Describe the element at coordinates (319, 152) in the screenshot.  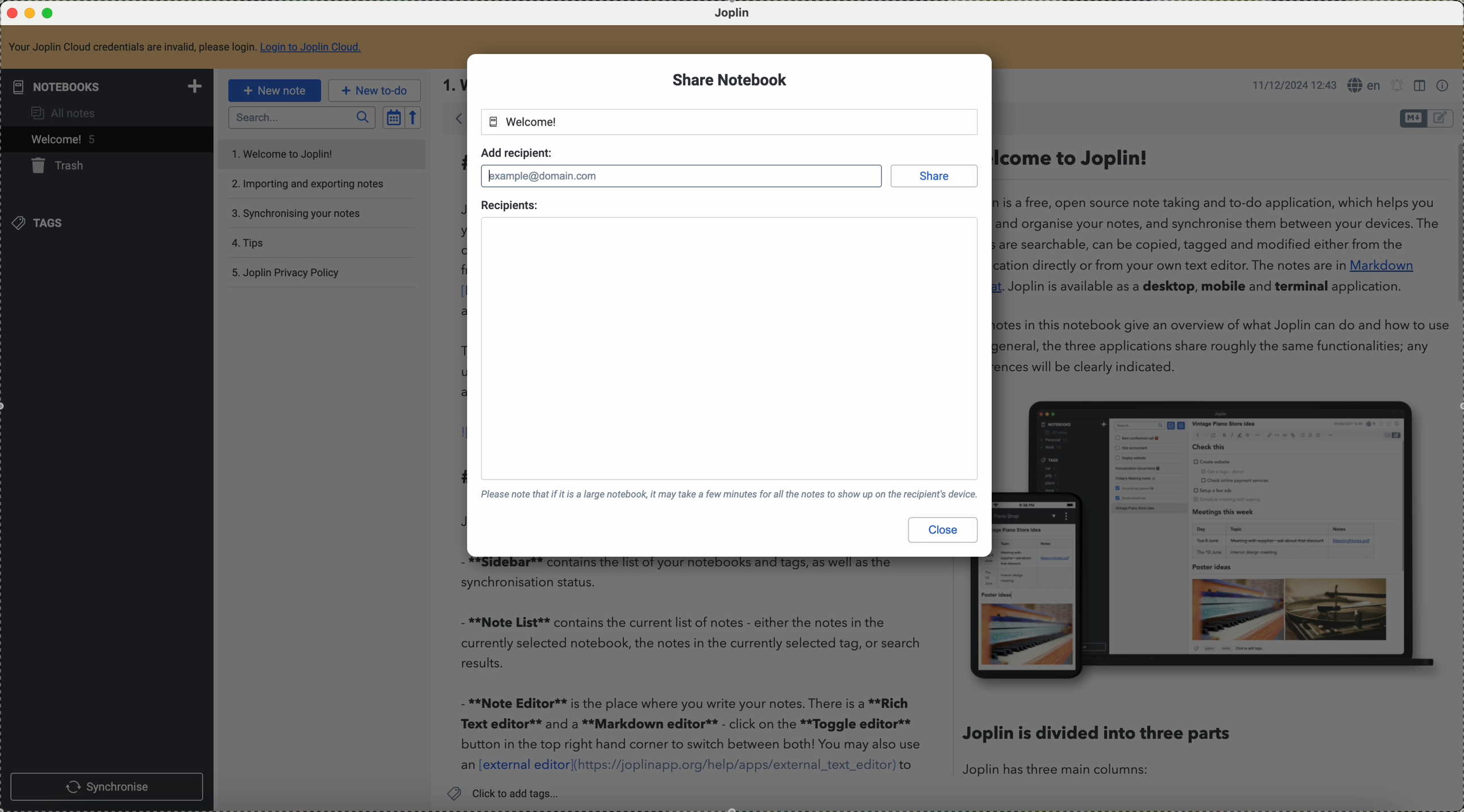
I see `welcome to Joplin note` at that location.